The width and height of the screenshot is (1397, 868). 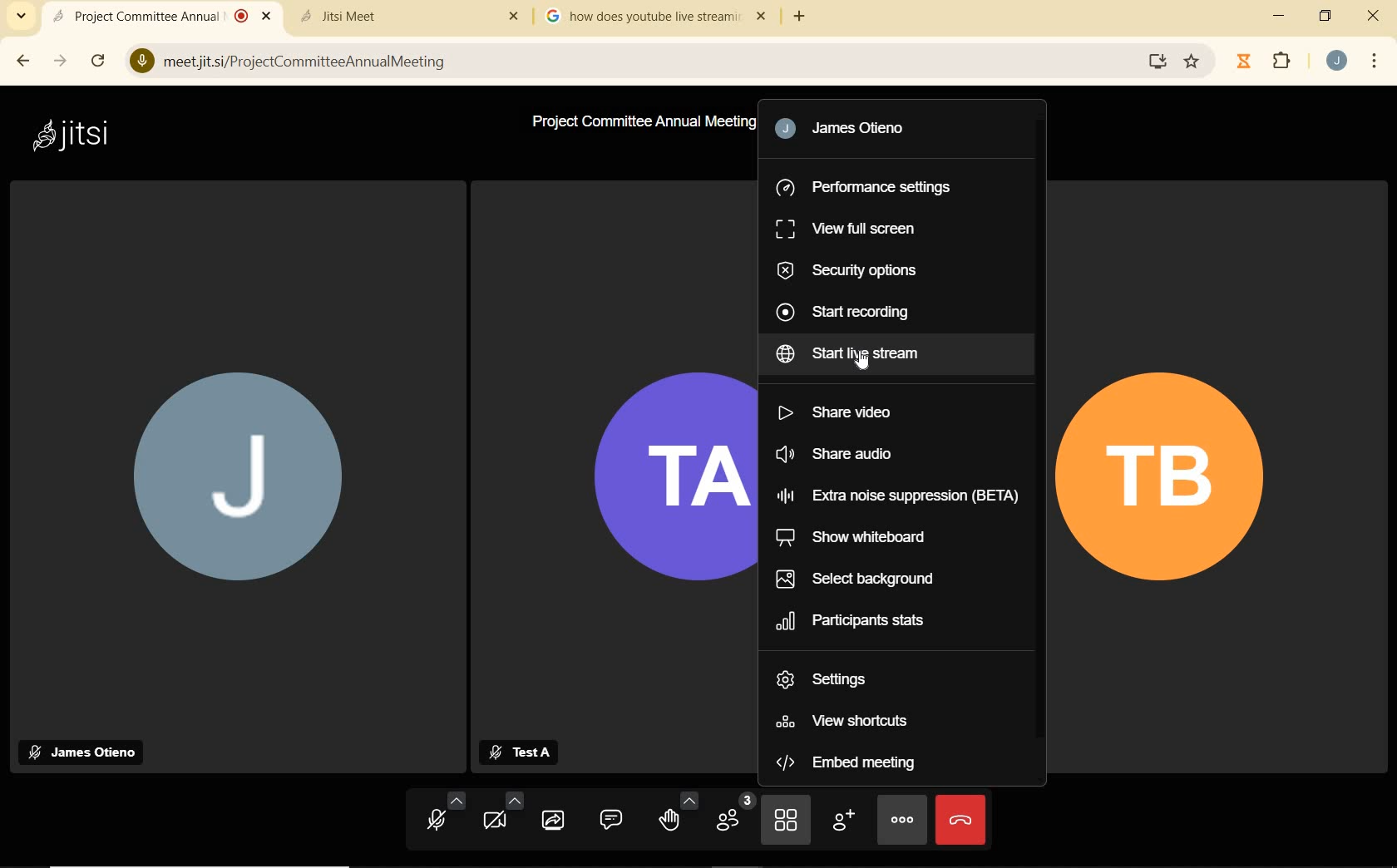 I want to click on TA, so click(x=664, y=483).